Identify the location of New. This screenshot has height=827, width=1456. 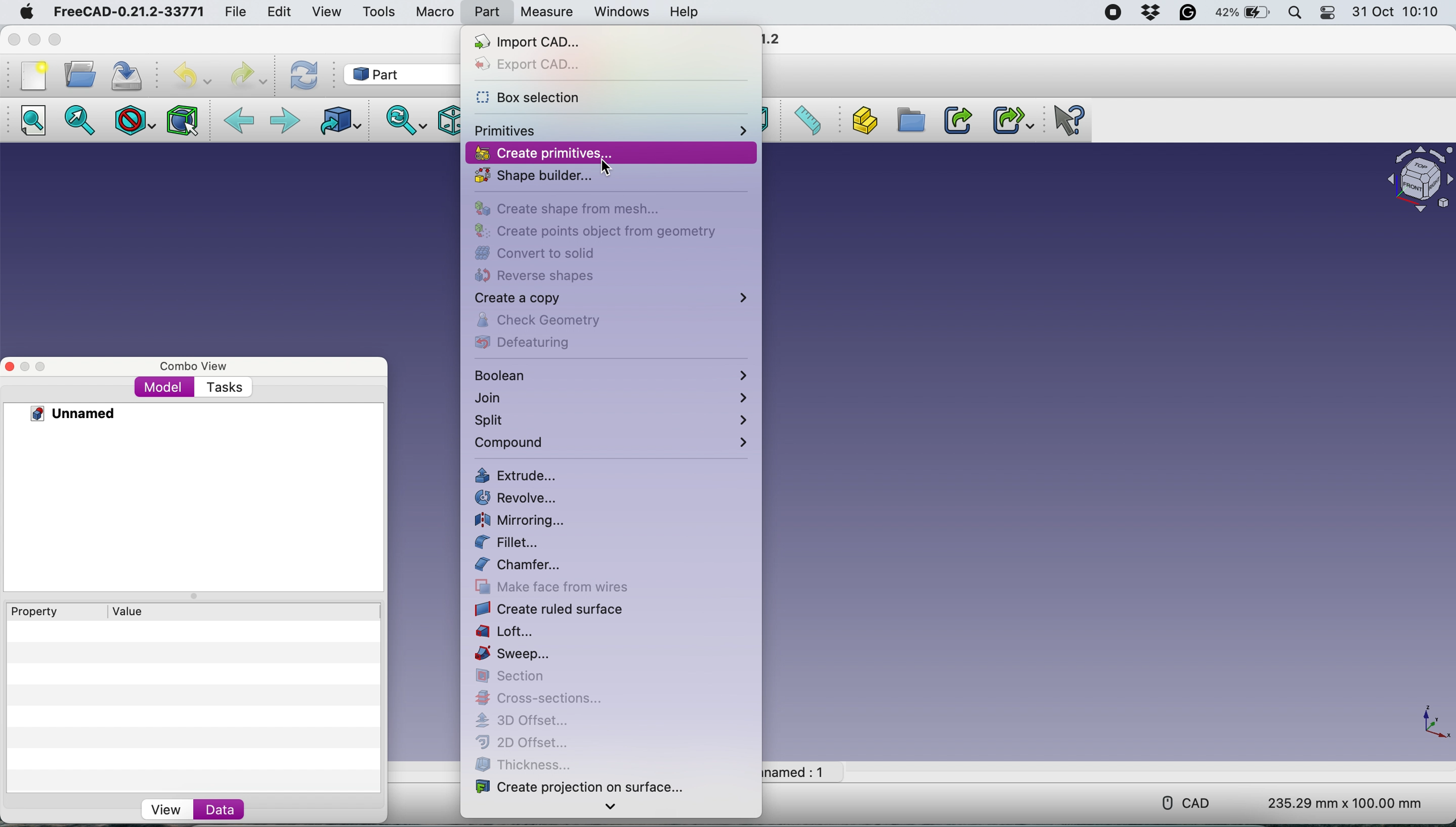
(33, 75).